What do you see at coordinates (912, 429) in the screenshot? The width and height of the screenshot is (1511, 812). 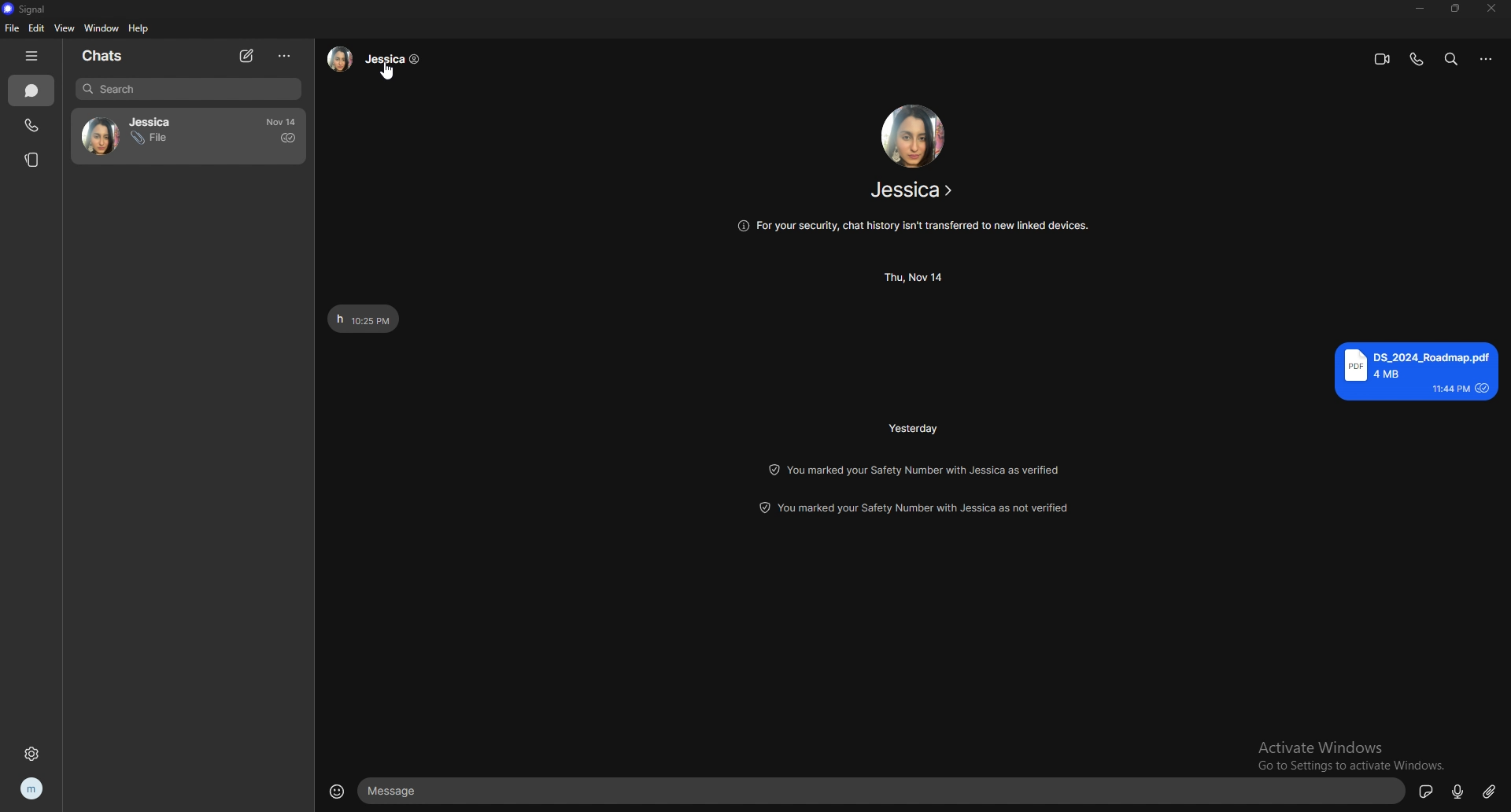 I see `time` at bounding box center [912, 429].